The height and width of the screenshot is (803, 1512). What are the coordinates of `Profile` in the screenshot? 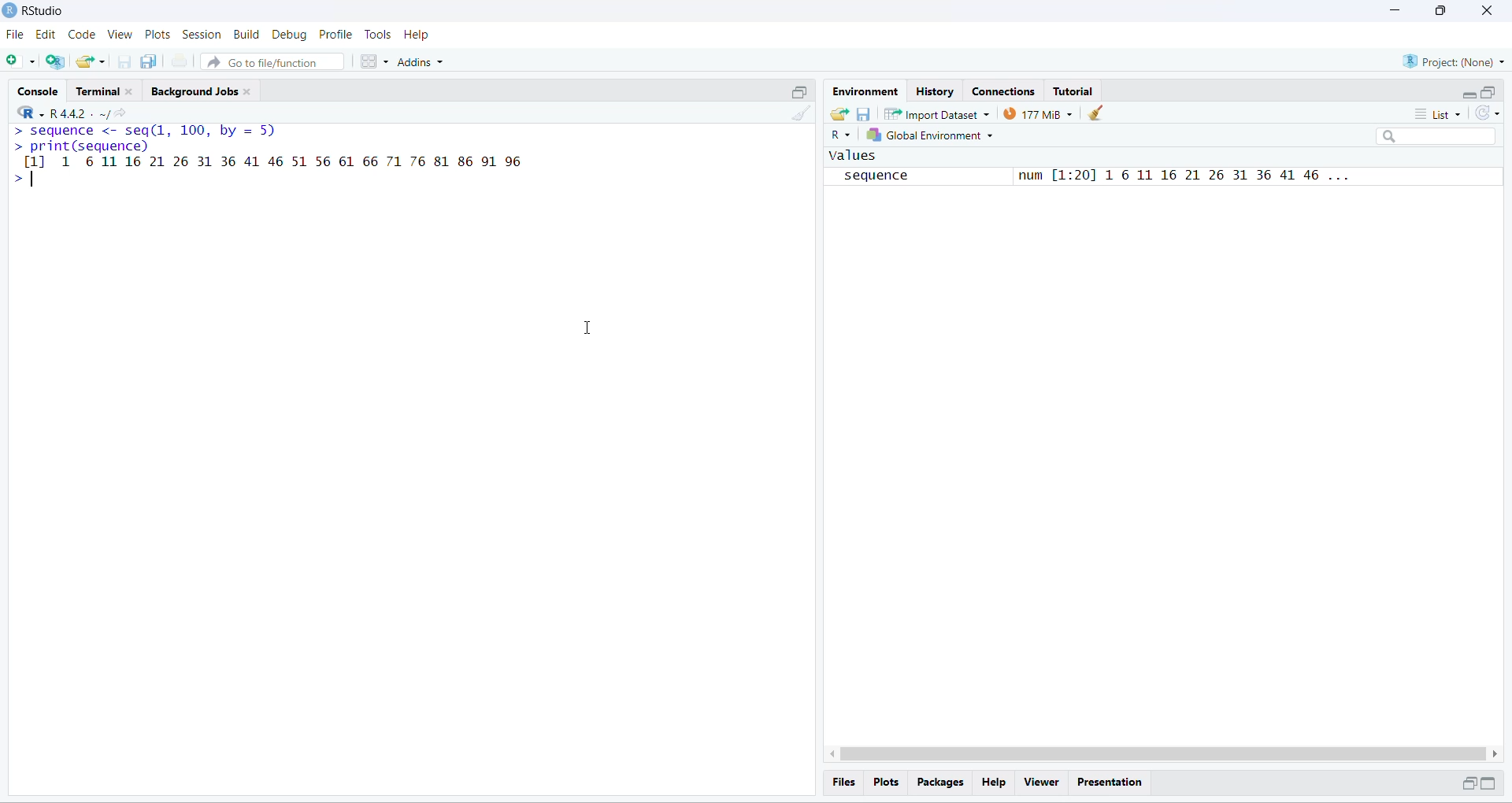 It's located at (335, 34).